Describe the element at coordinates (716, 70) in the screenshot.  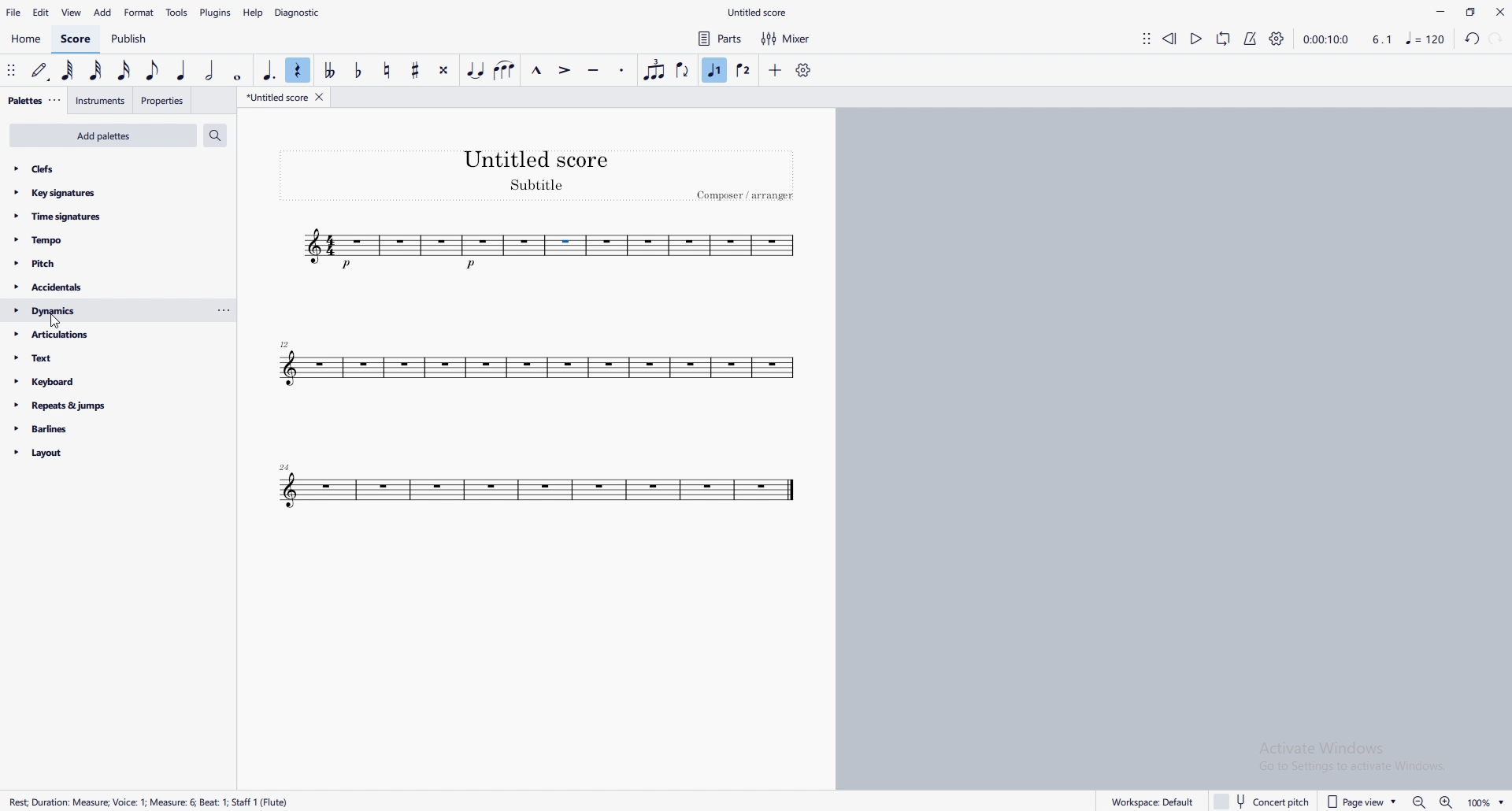
I see `voice 1` at that location.